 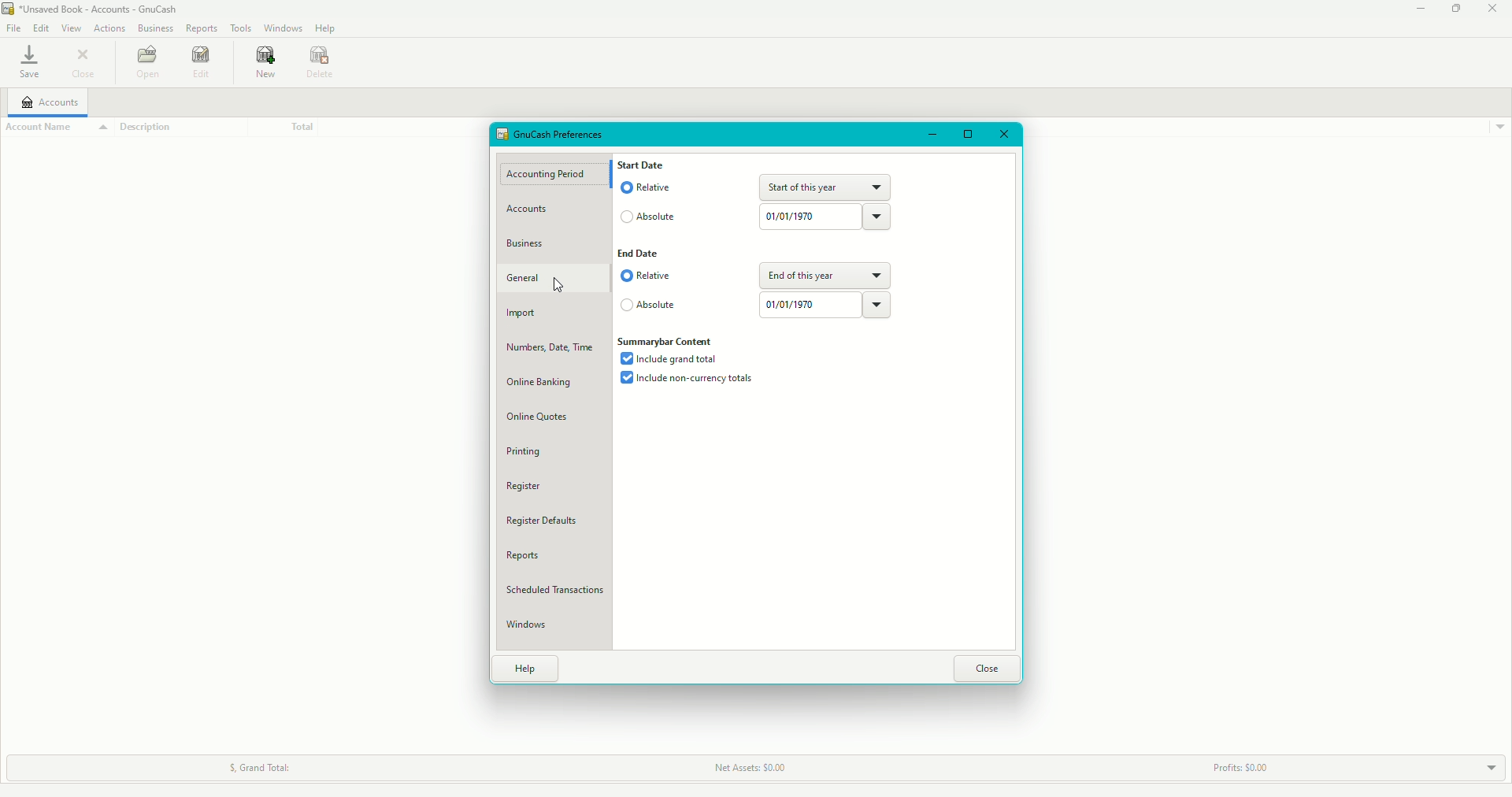 What do you see at coordinates (824, 276) in the screenshot?
I see `End of the year` at bounding box center [824, 276].